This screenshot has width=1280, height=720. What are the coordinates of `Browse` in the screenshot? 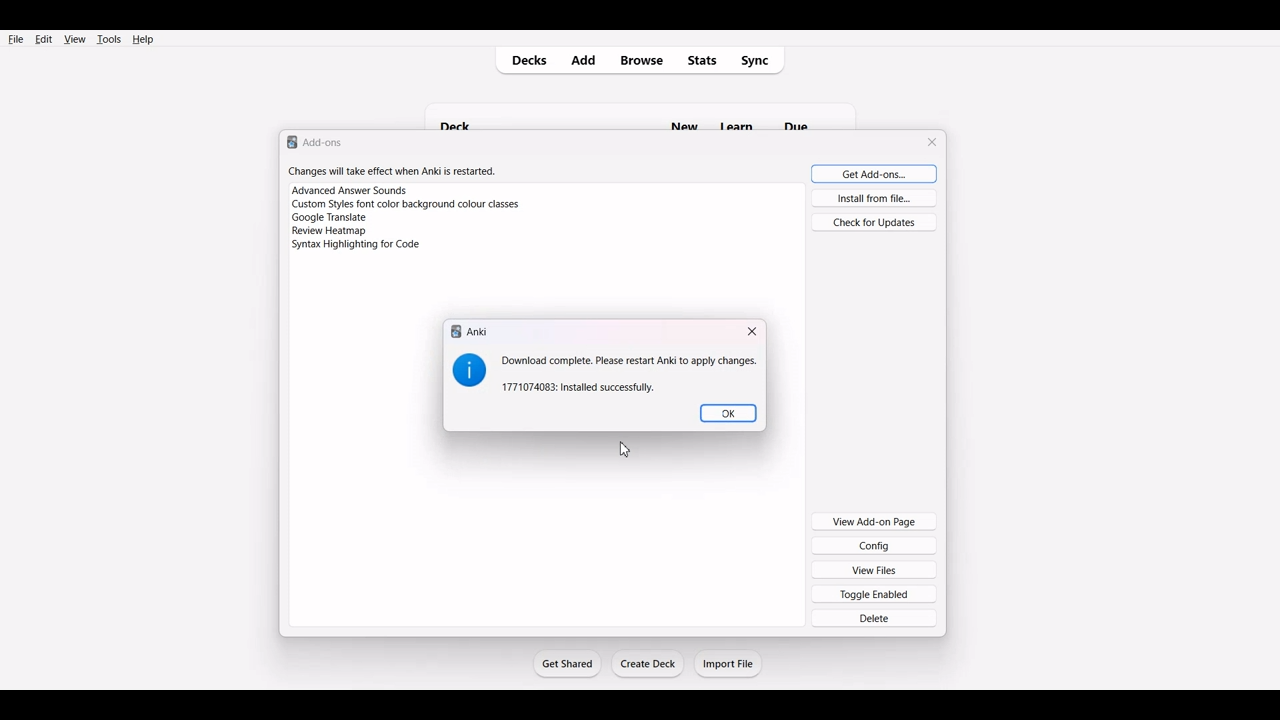 It's located at (641, 61).